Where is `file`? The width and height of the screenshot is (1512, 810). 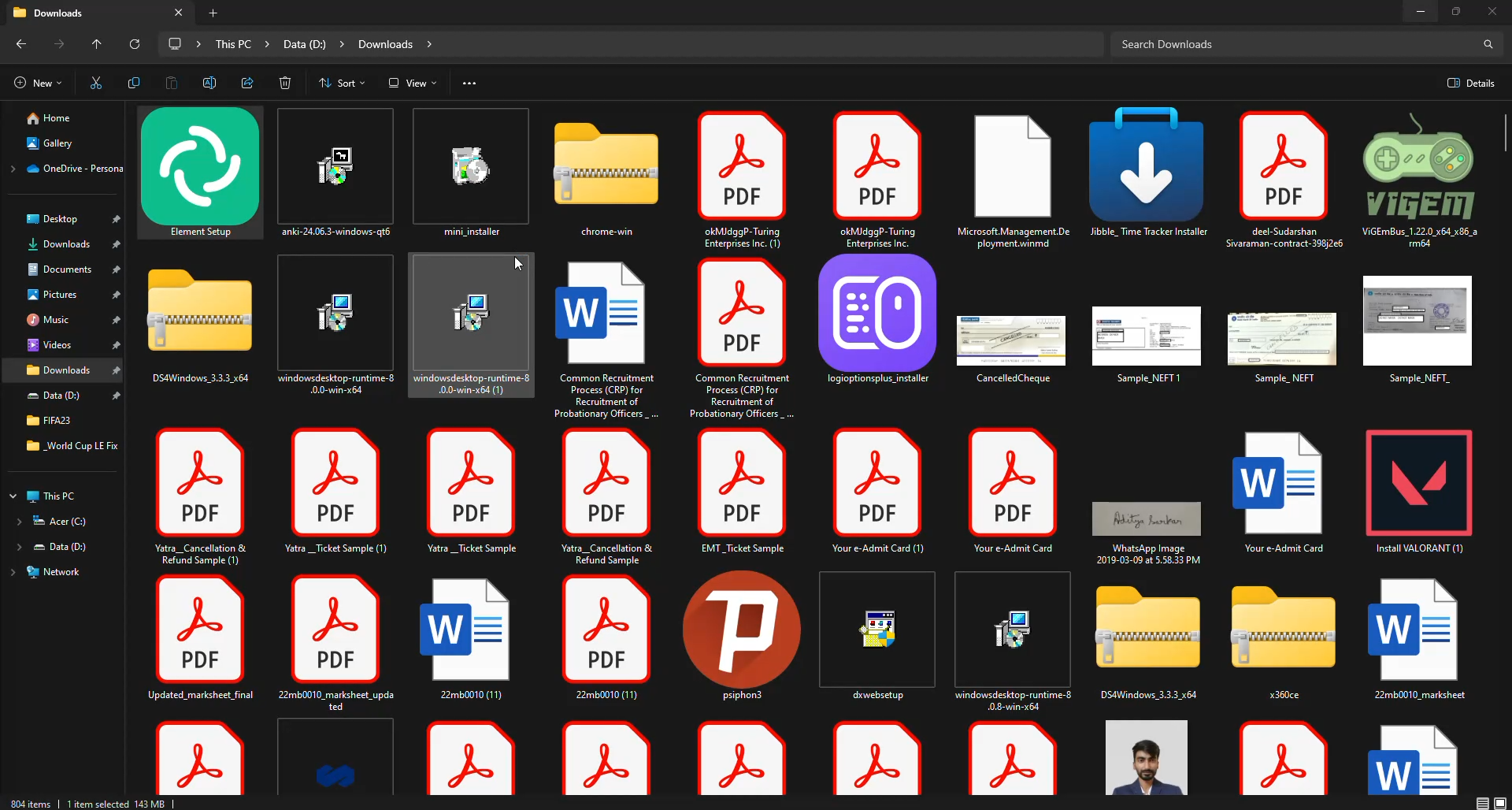 file is located at coordinates (611, 498).